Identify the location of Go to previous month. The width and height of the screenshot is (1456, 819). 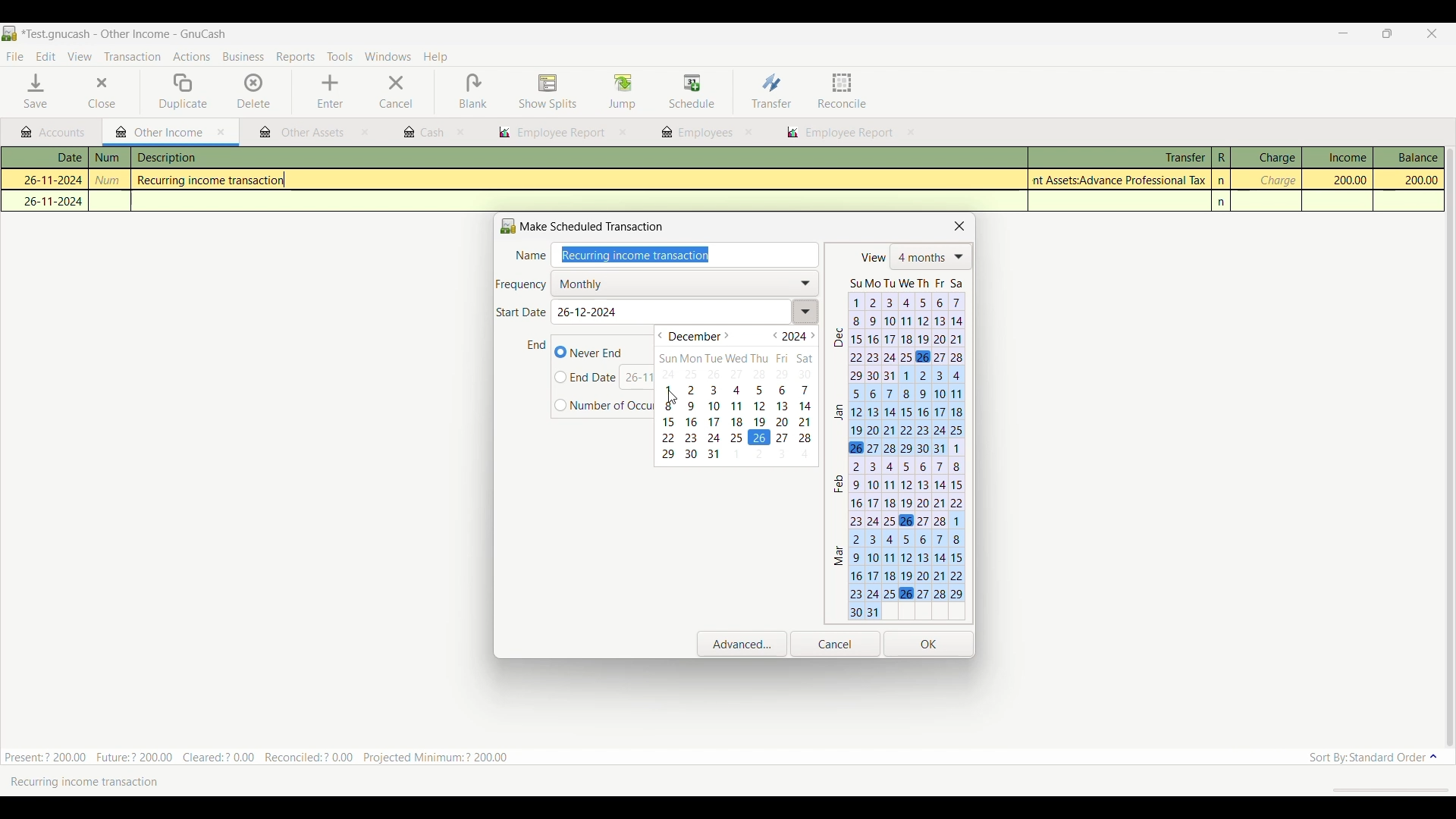
(660, 336).